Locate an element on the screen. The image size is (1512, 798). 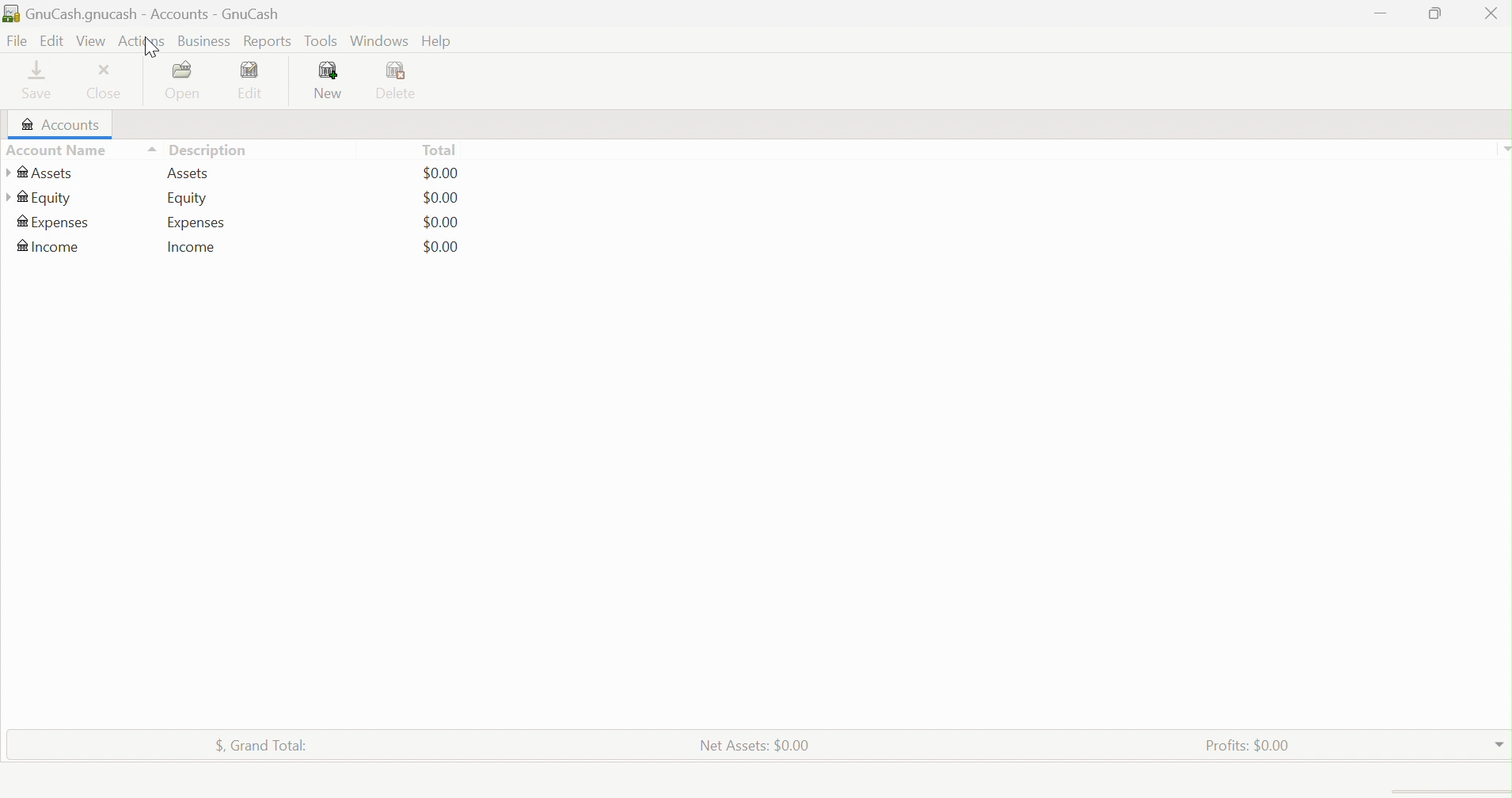
Windows is located at coordinates (378, 40).